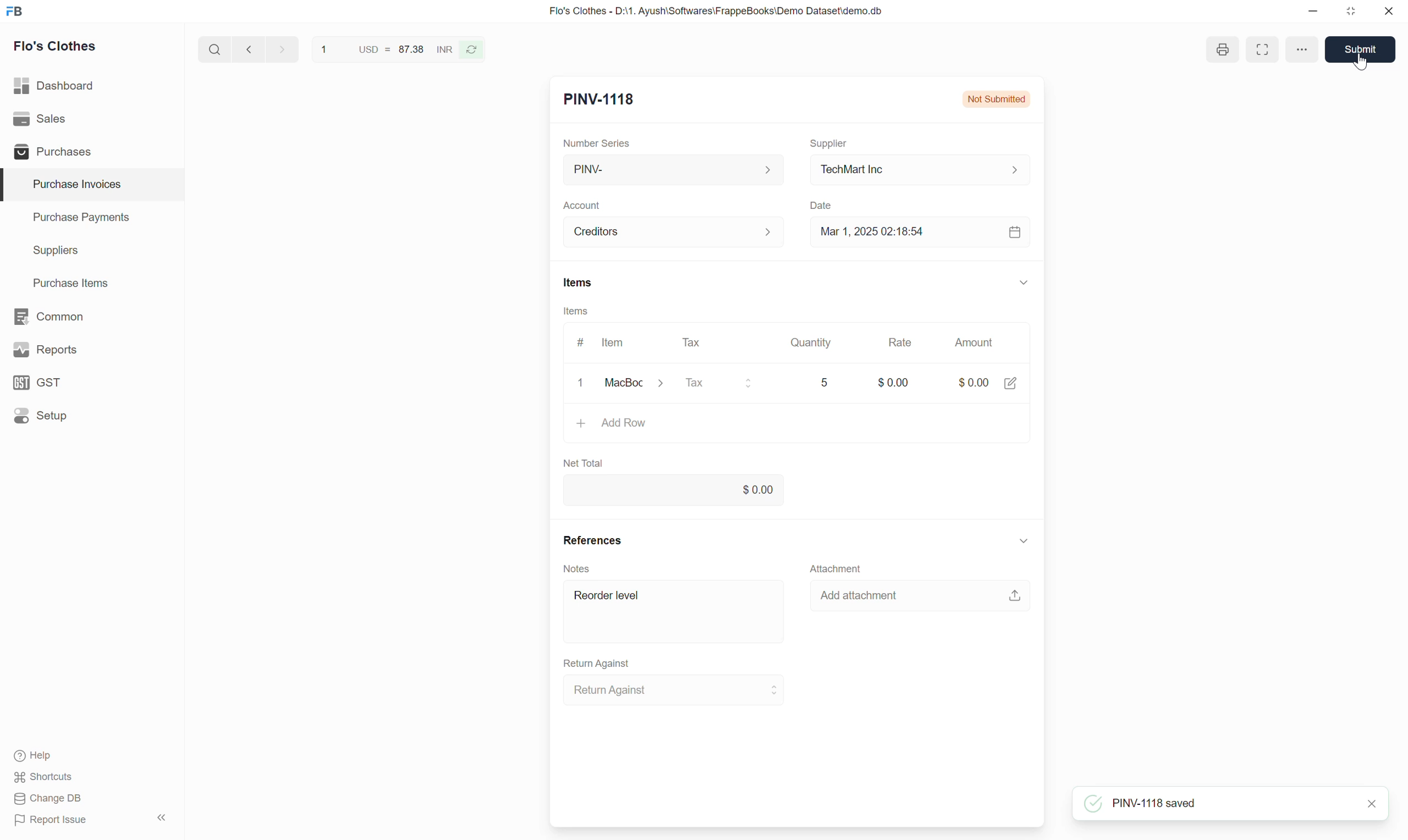  Describe the element at coordinates (1261, 49) in the screenshot. I see `Toggle between form and full width` at that location.